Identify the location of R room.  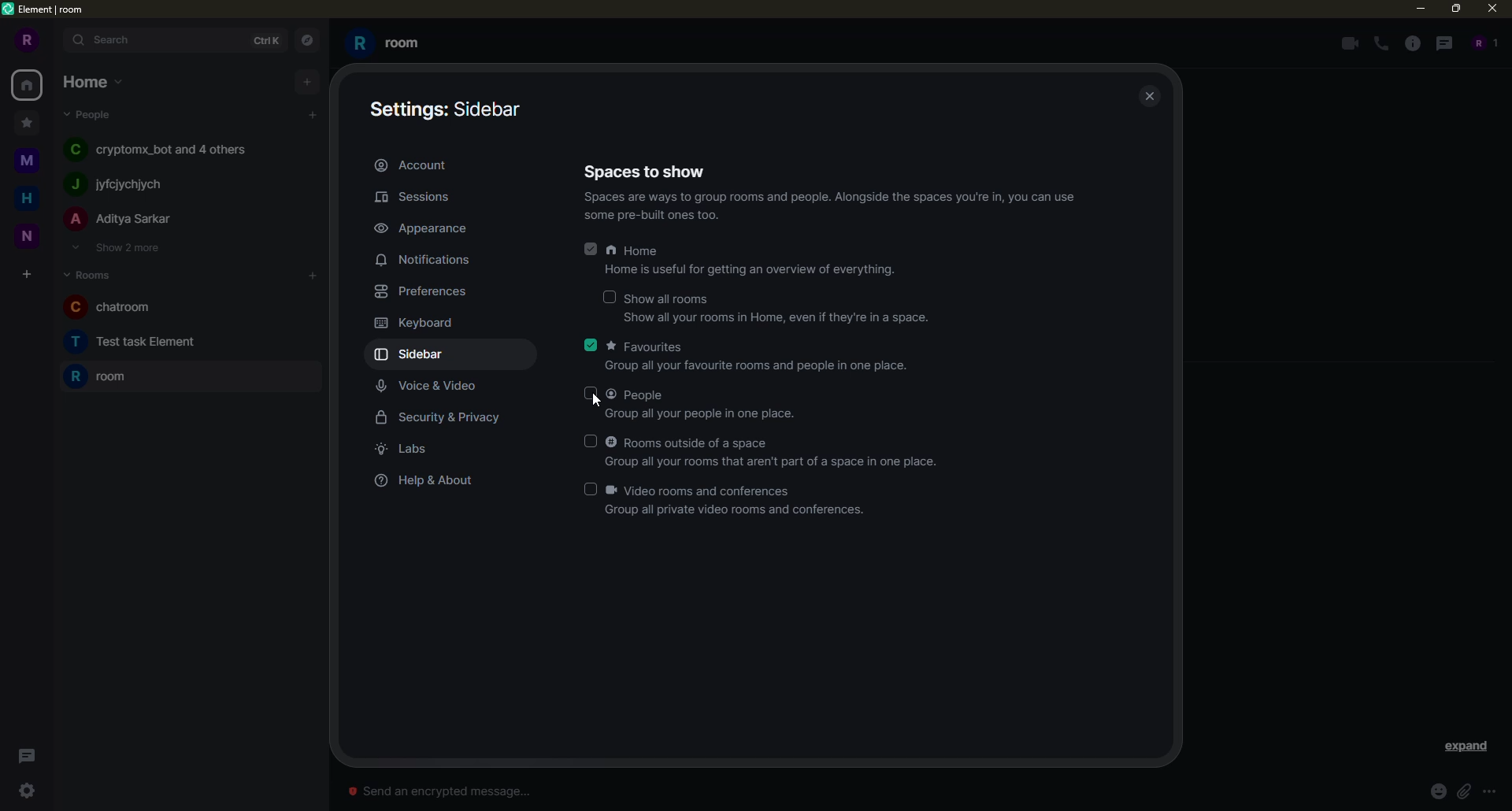
(399, 41).